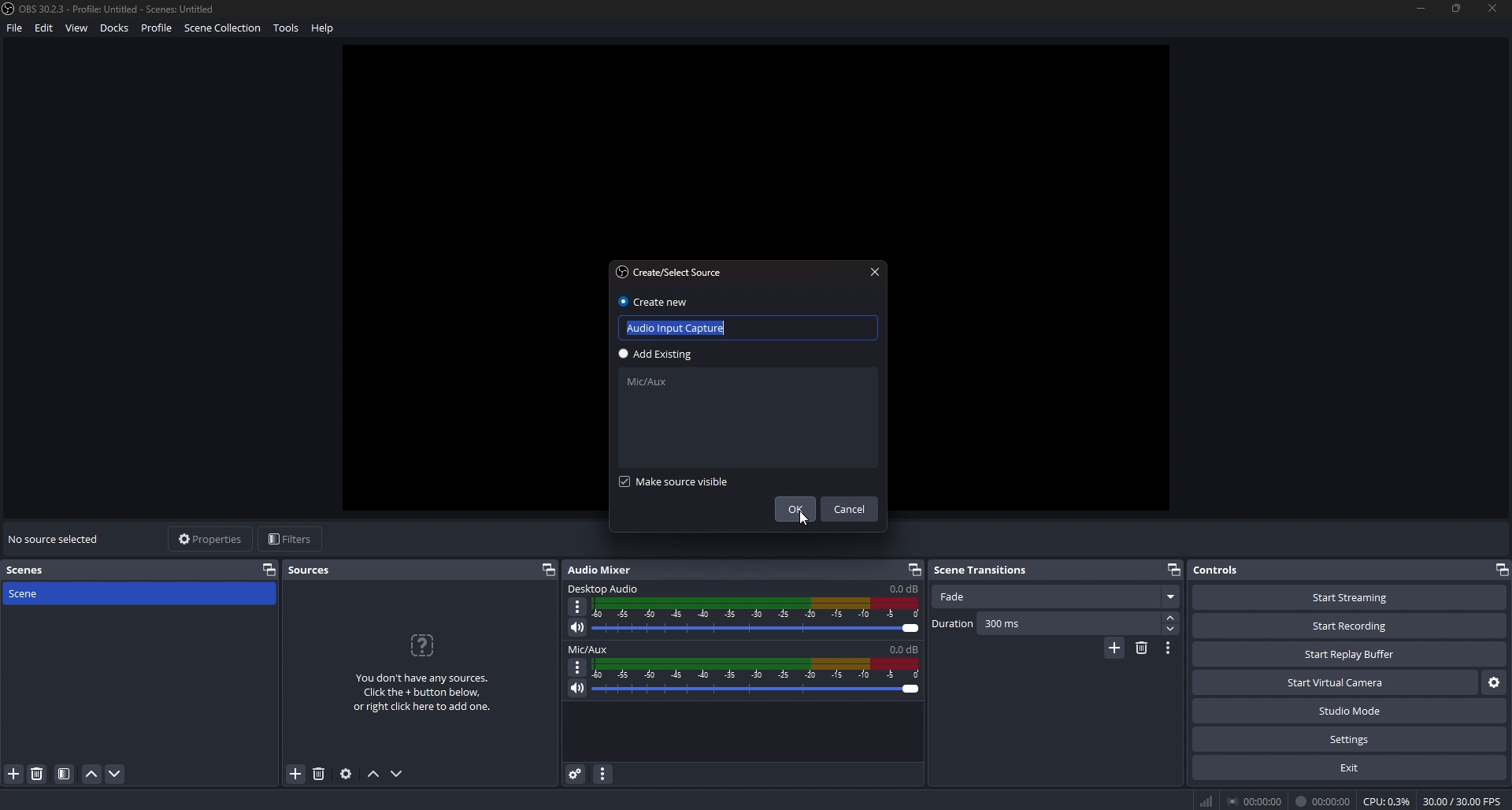 The height and width of the screenshot is (810, 1512). What do you see at coordinates (670, 272) in the screenshot?
I see `create/select source` at bounding box center [670, 272].